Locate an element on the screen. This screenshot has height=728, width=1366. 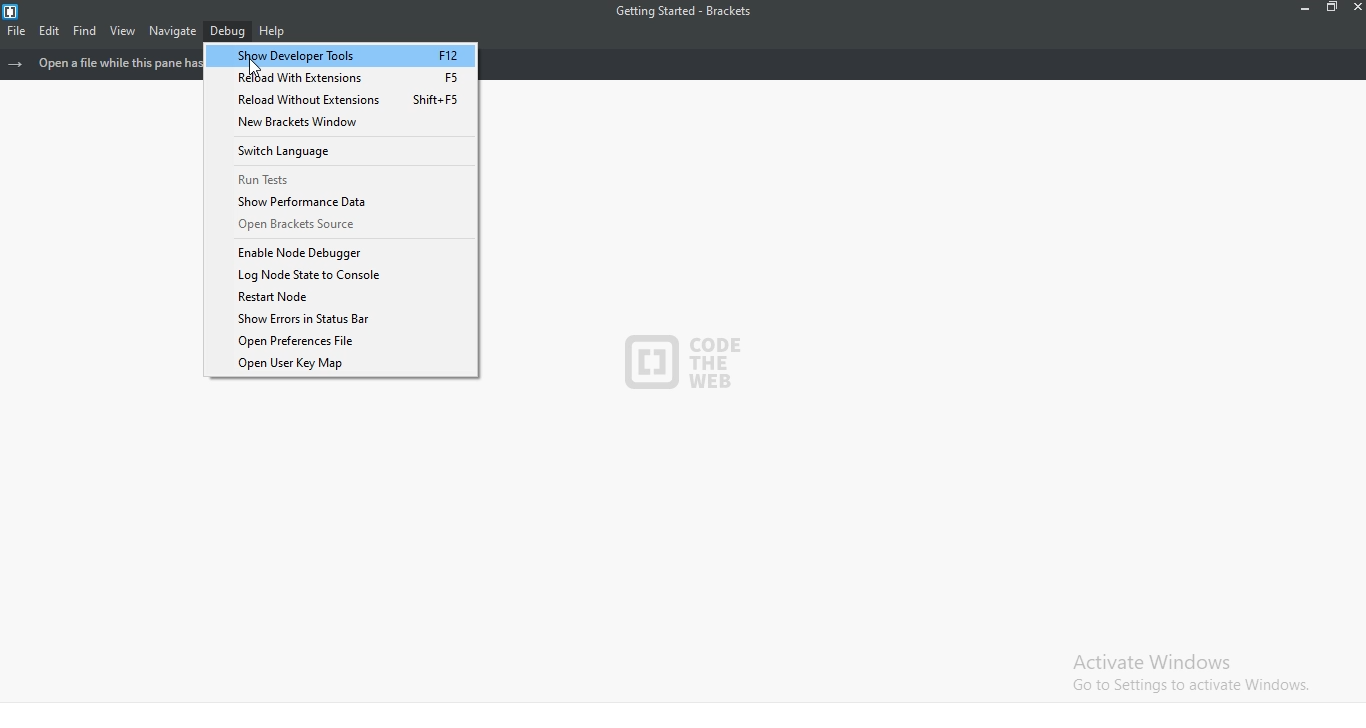
restore is located at coordinates (1331, 10).